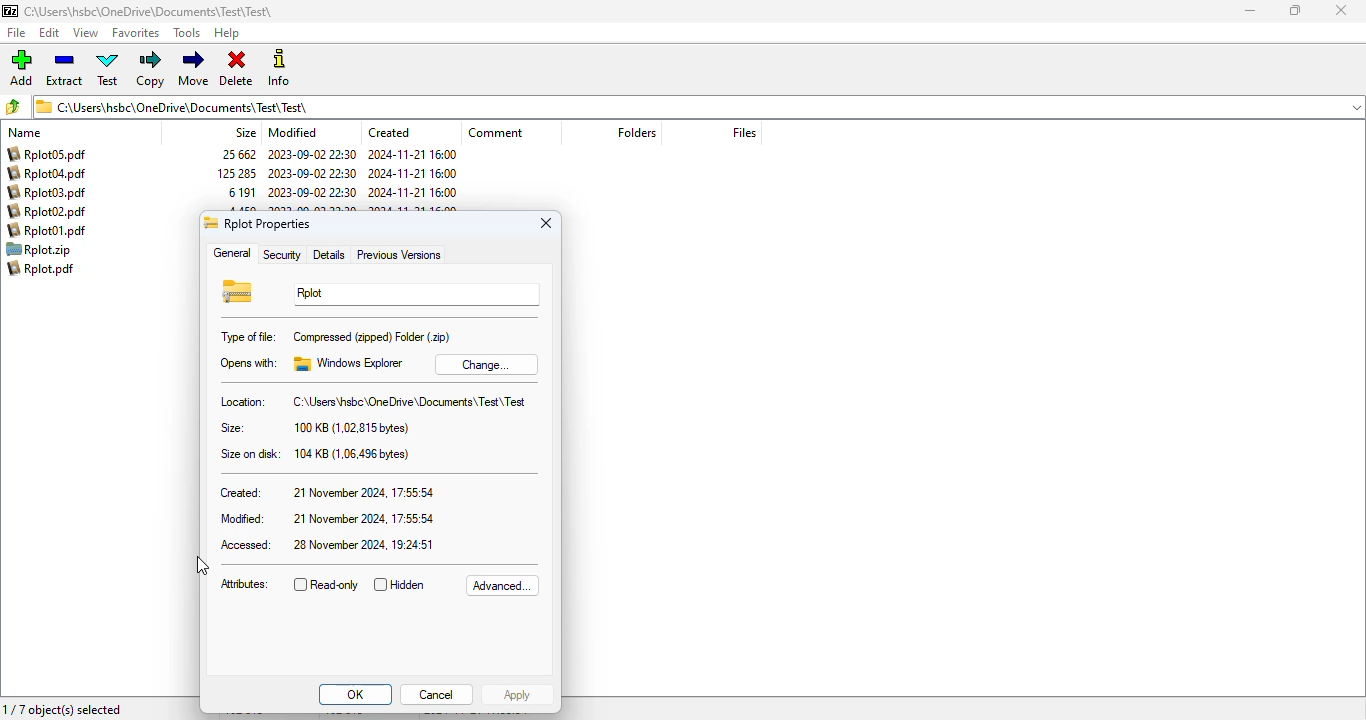 This screenshot has width=1366, height=720. Describe the element at coordinates (326, 545) in the screenshot. I see `Accessed: 28 november 2024, 19:24:51` at that location.